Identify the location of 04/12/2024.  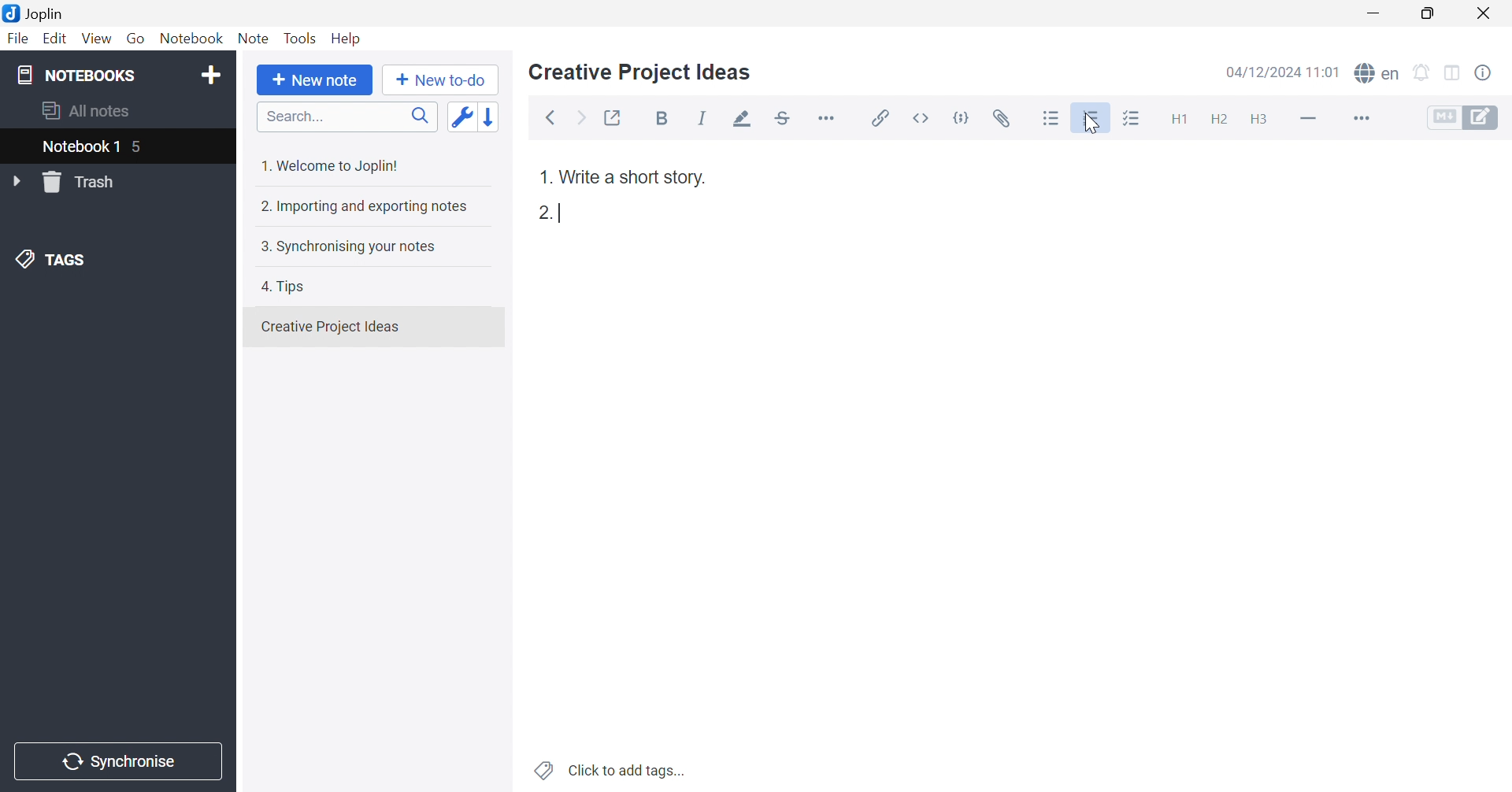
(1280, 72).